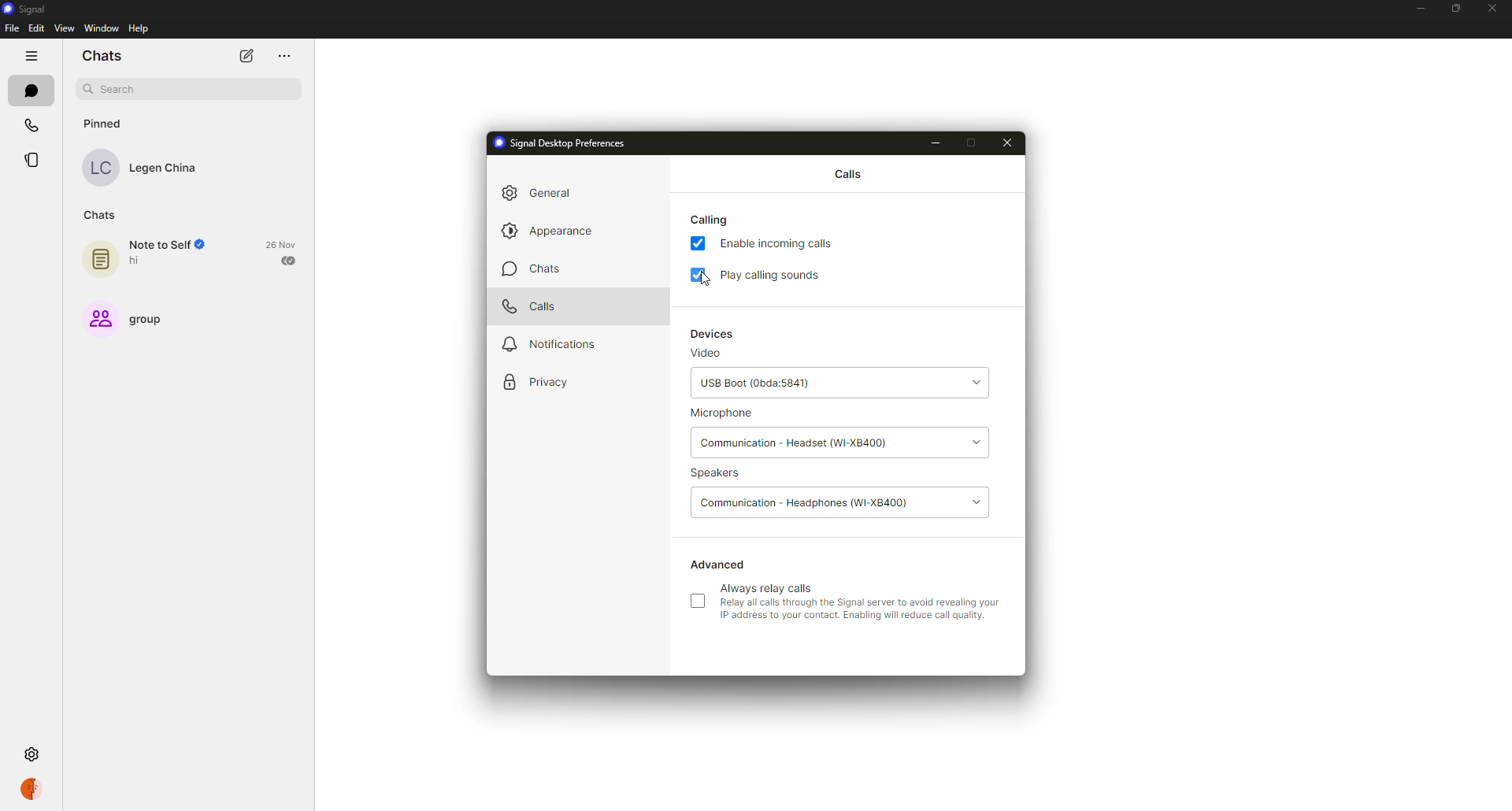  Describe the element at coordinates (31, 754) in the screenshot. I see `settings` at that location.